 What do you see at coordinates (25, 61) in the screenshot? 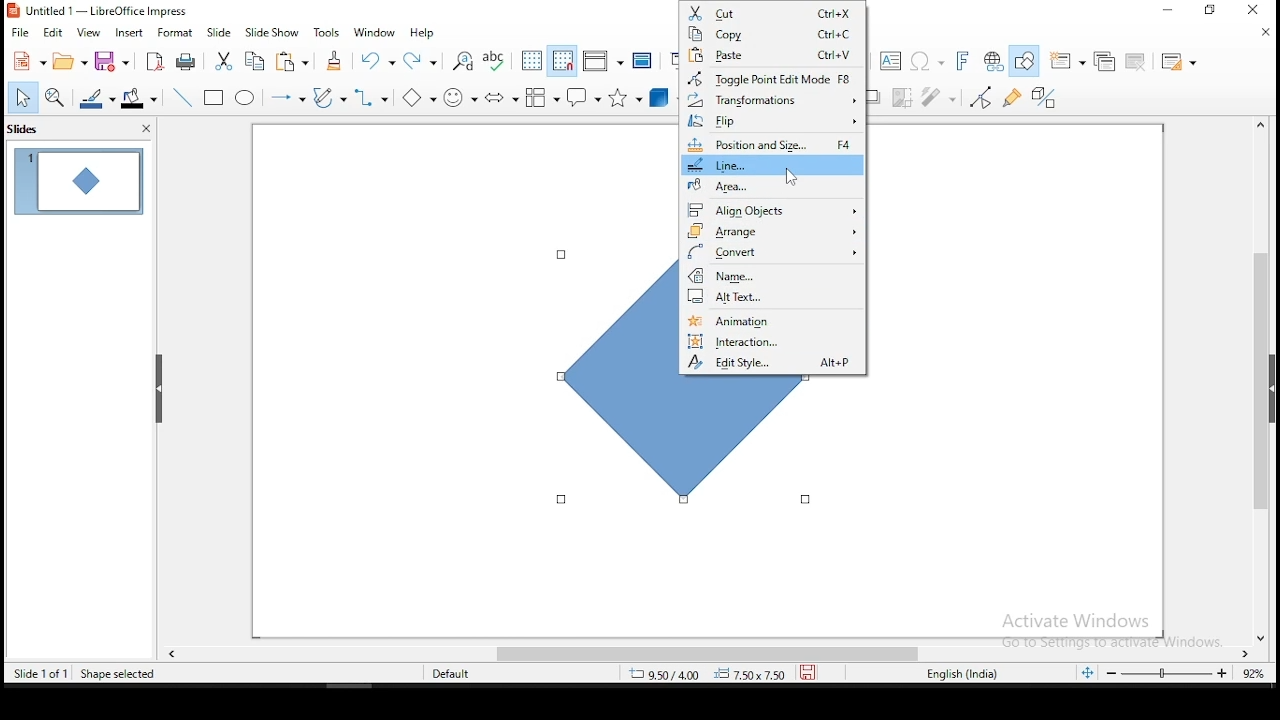
I see `new` at bounding box center [25, 61].